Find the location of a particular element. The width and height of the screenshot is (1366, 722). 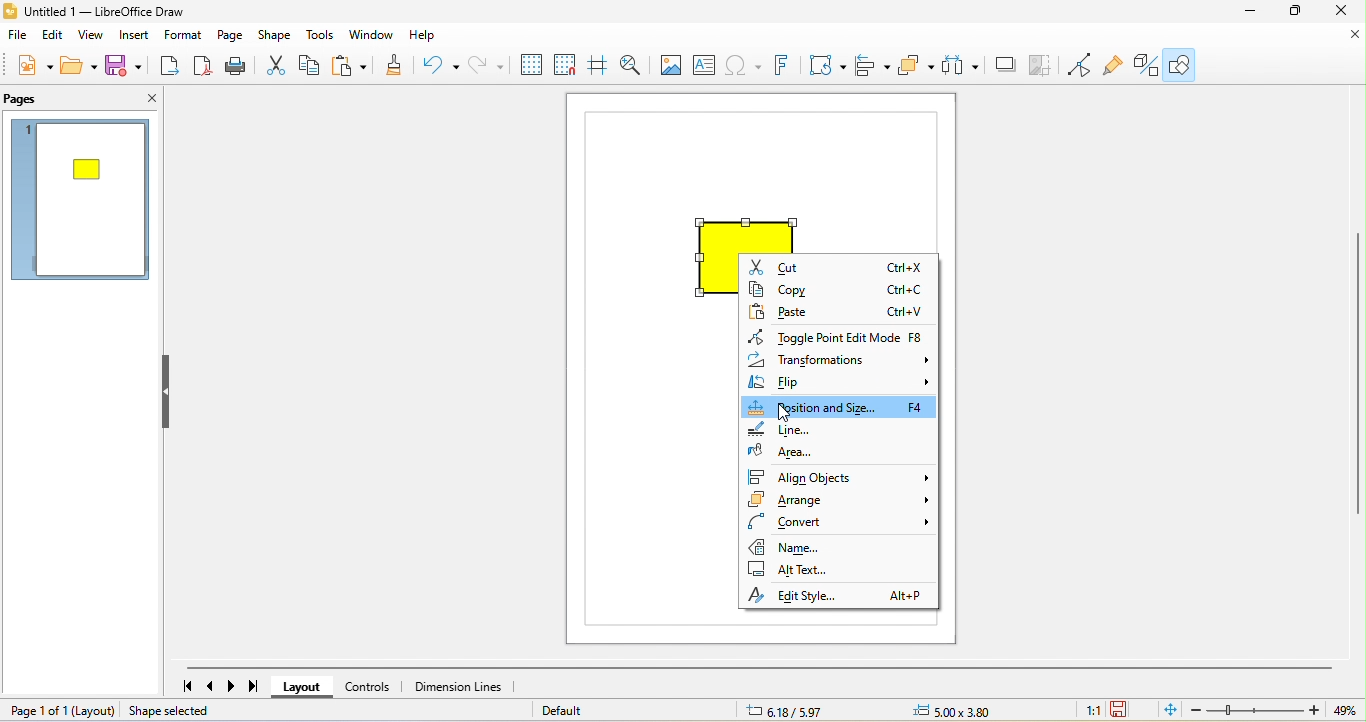

toggle point edit mode is located at coordinates (1084, 65).